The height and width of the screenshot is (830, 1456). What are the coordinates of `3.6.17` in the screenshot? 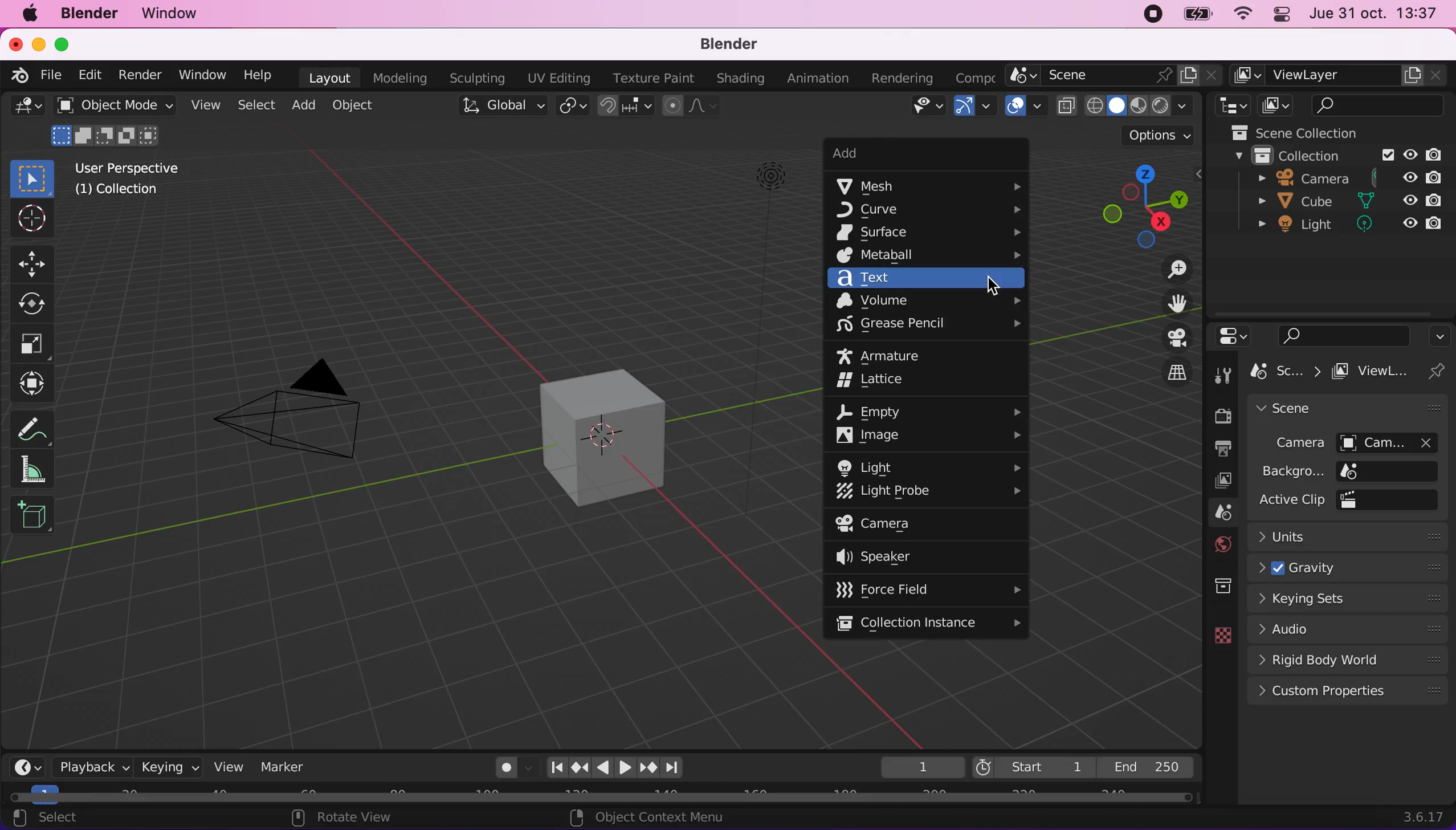 It's located at (1421, 816).